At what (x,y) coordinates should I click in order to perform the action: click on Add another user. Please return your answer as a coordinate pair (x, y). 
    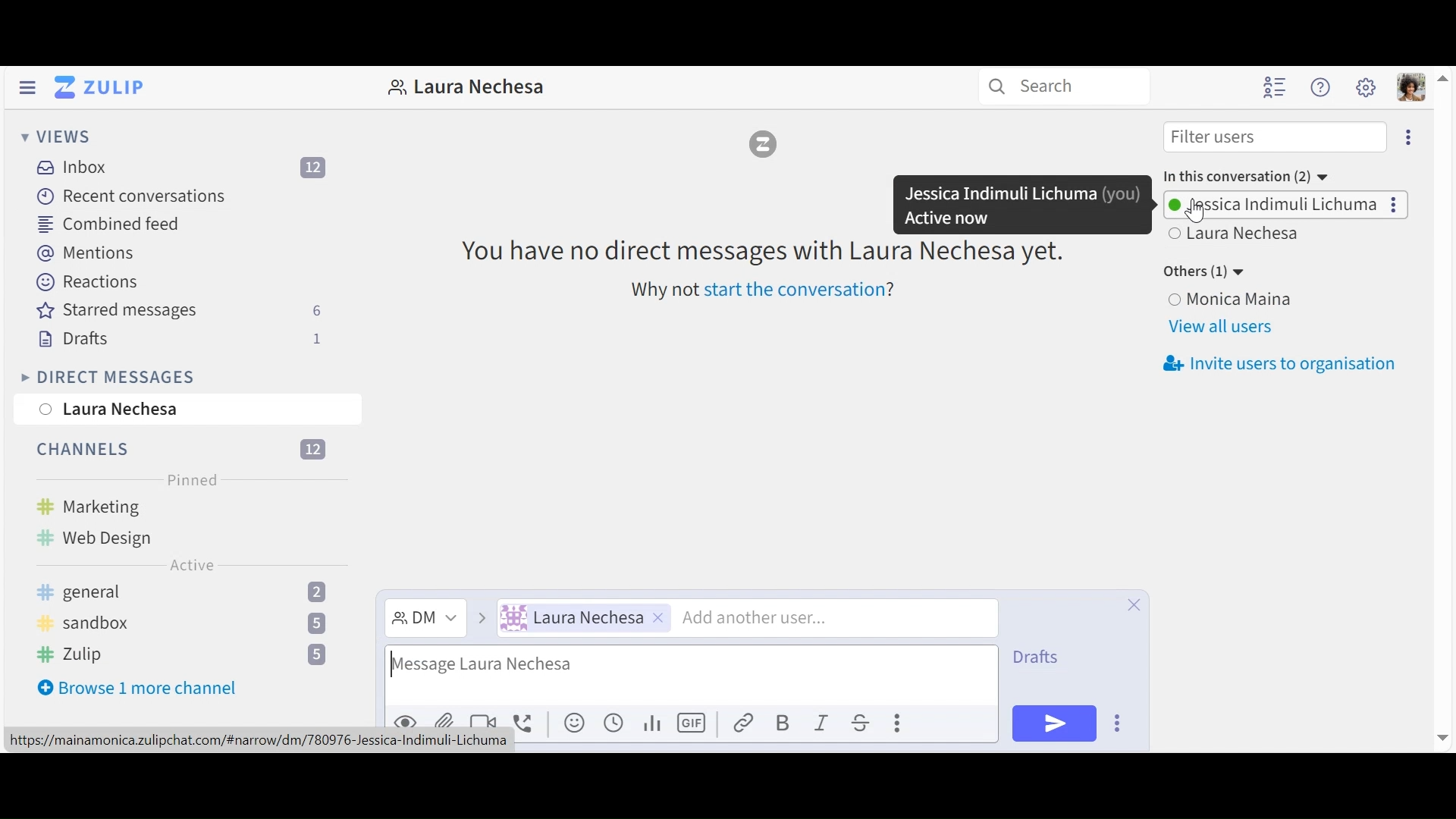
    Looking at the image, I should click on (753, 619).